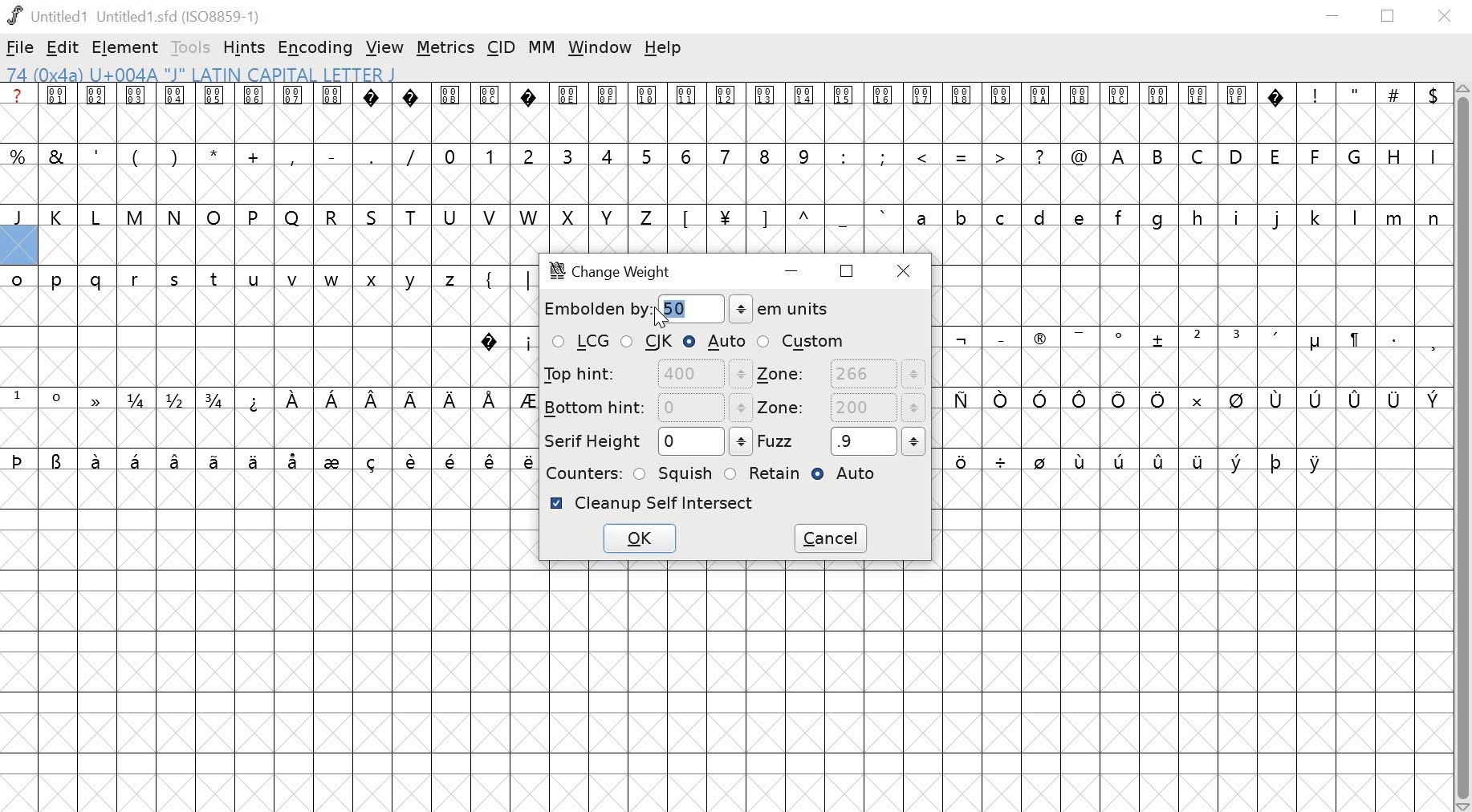  What do you see at coordinates (653, 503) in the screenshot?
I see `CLEANUP self intersect` at bounding box center [653, 503].